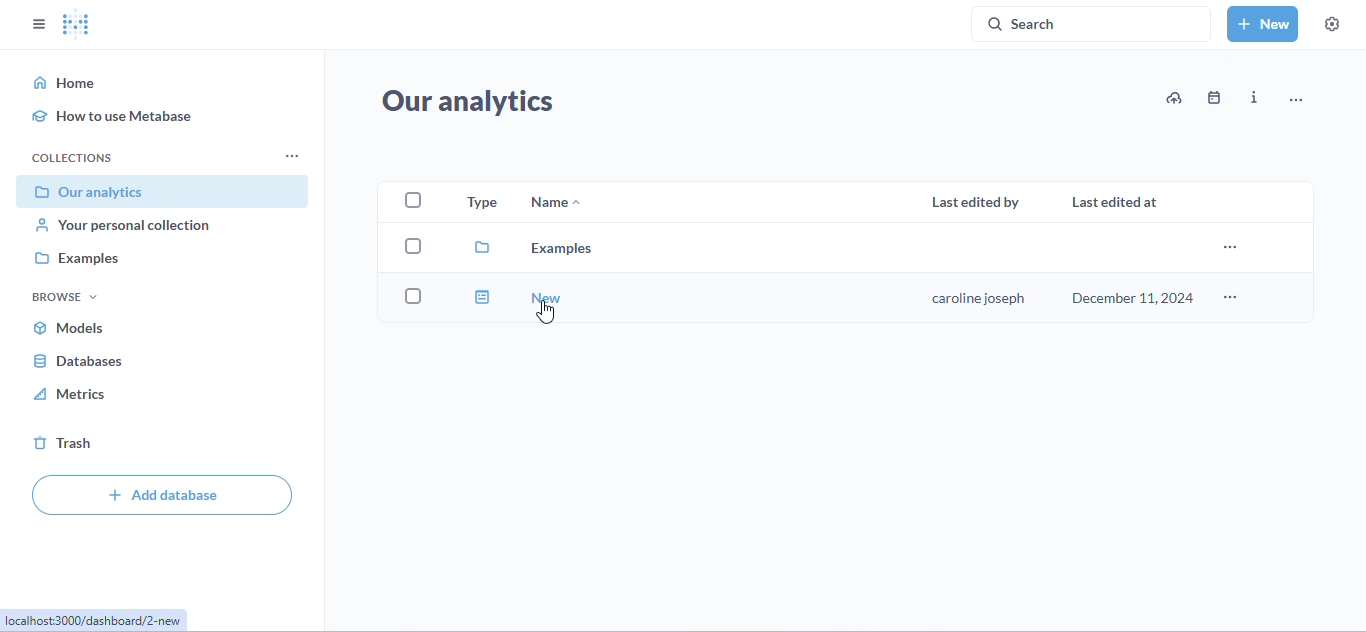 The height and width of the screenshot is (632, 1366). What do you see at coordinates (560, 249) in the screenshot?
I see `examples` at bounding box center [560, 249].